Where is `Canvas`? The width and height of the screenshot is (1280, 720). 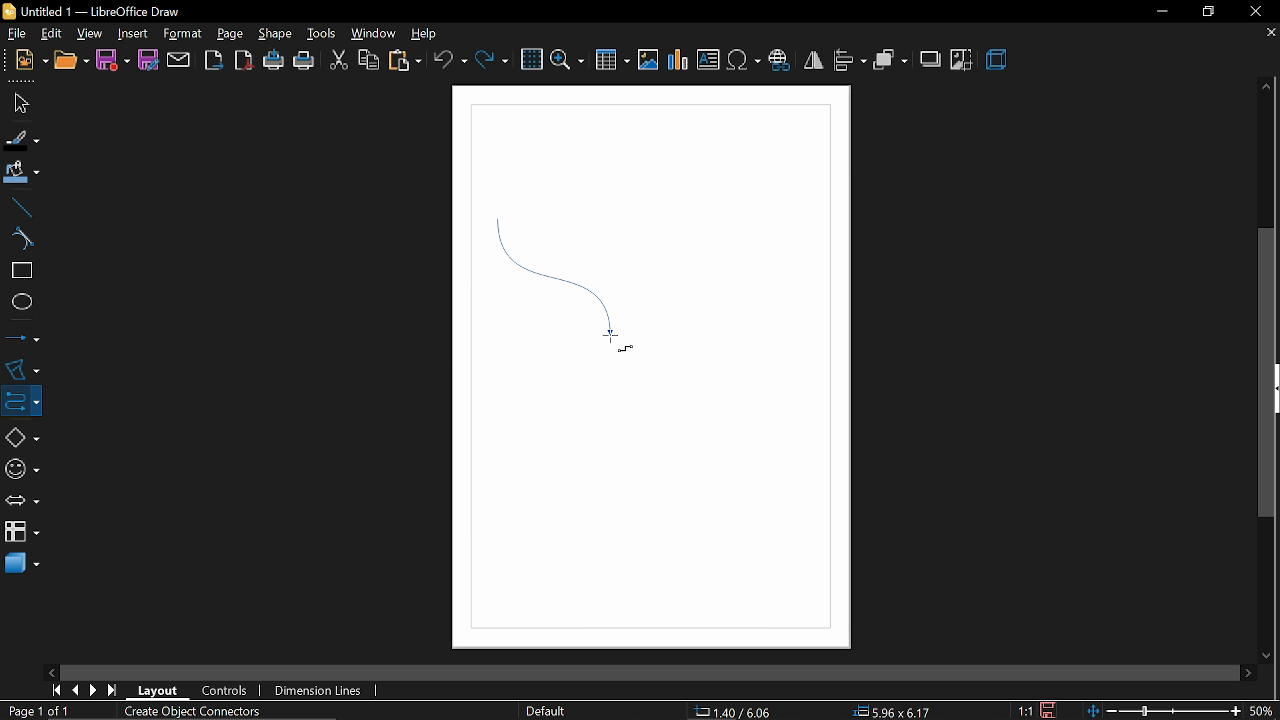
Canvas is located at coordinates (650, 370).